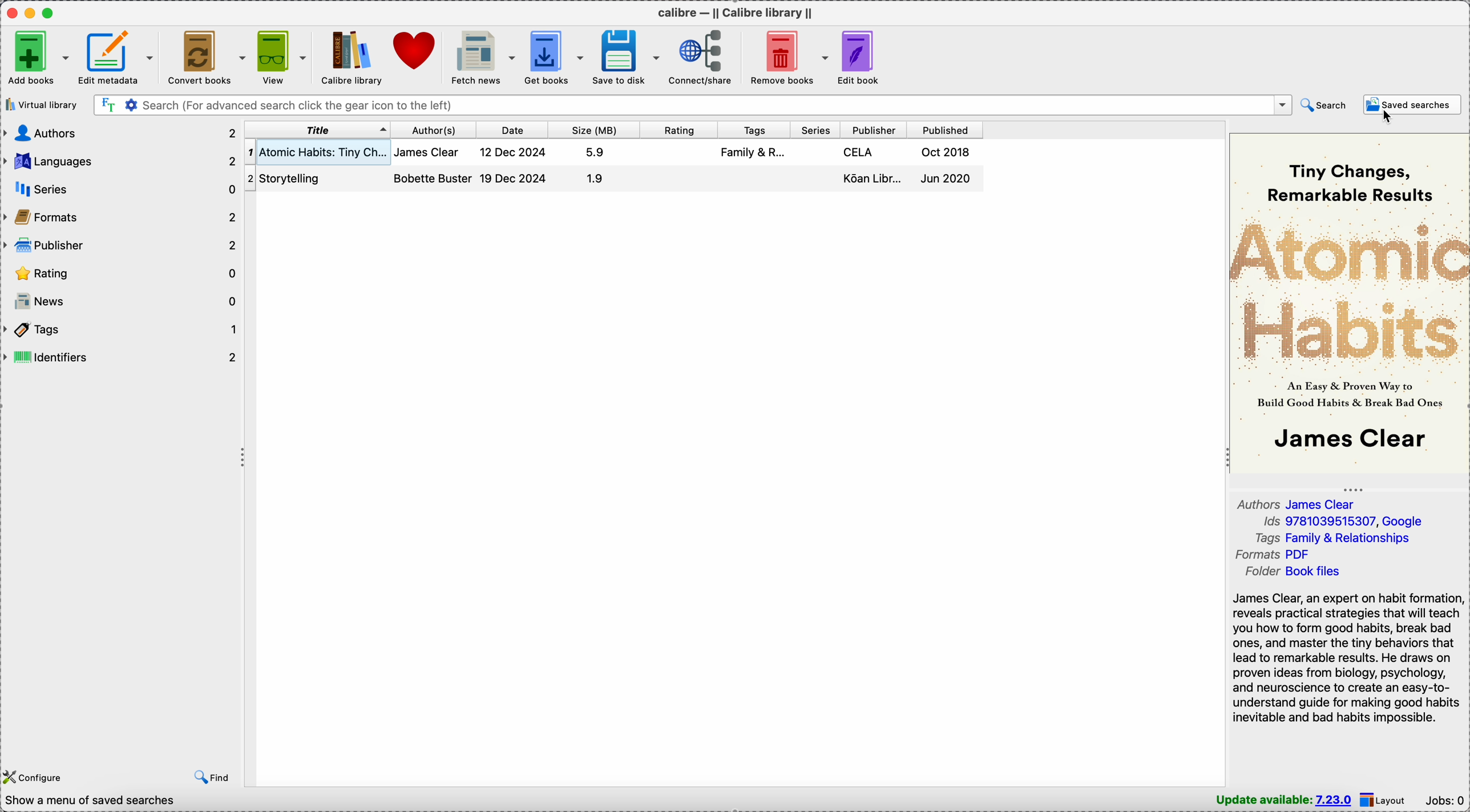 This screenshot has width=1470, height=812. I want to click on search bar, so click(693, 104).